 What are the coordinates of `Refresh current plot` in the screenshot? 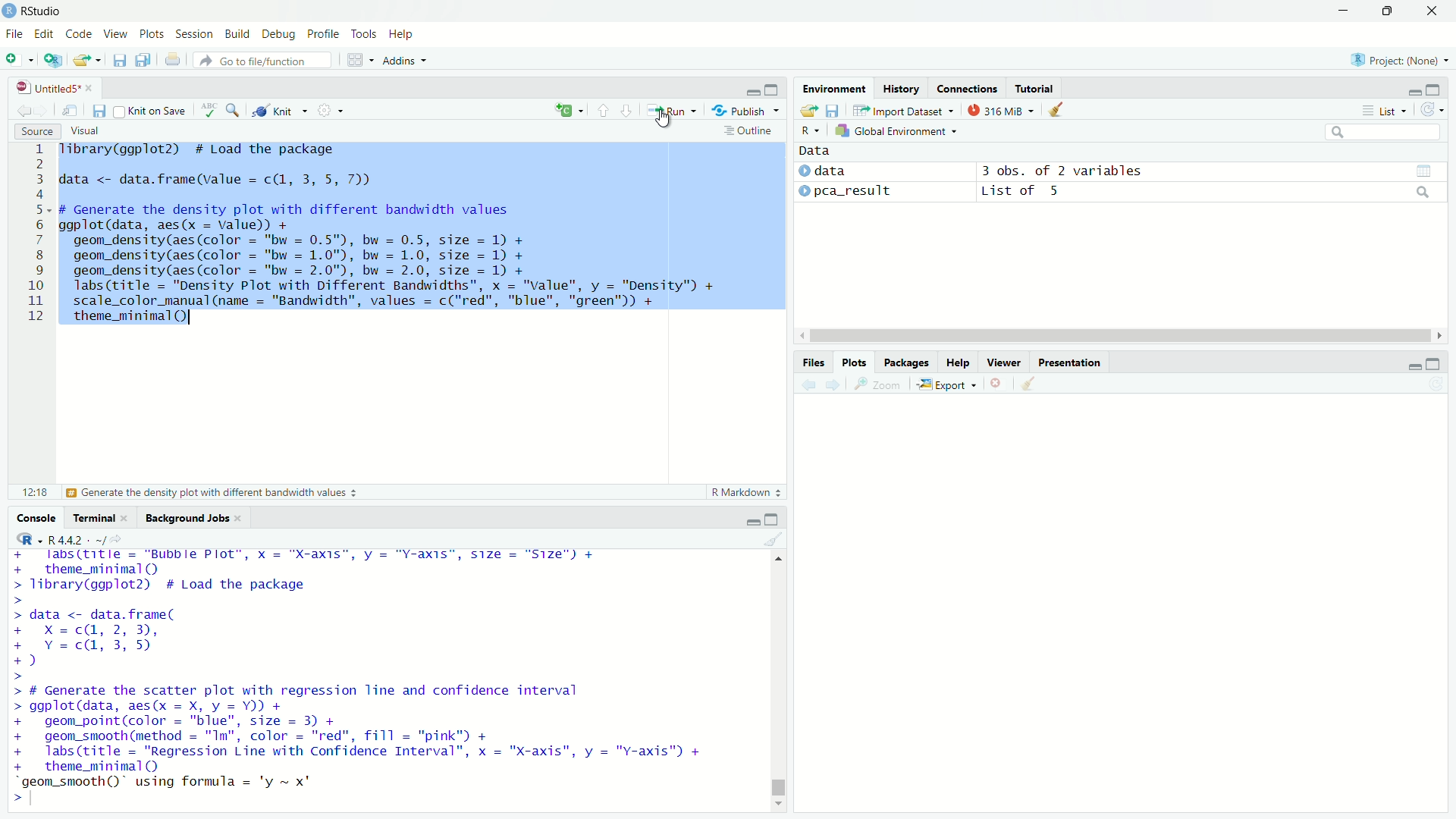 It's located at (1436, 384).